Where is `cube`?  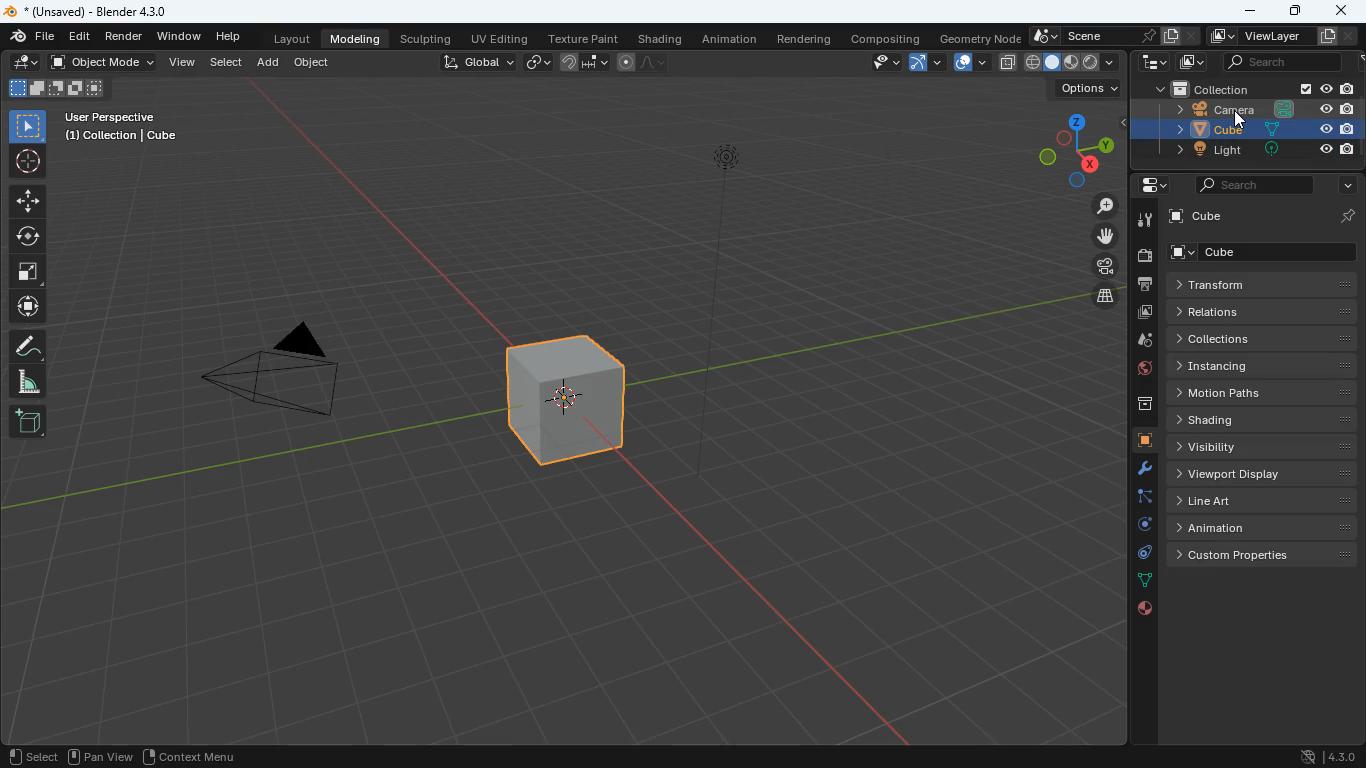 cube is located at coordinates (1252, 129).